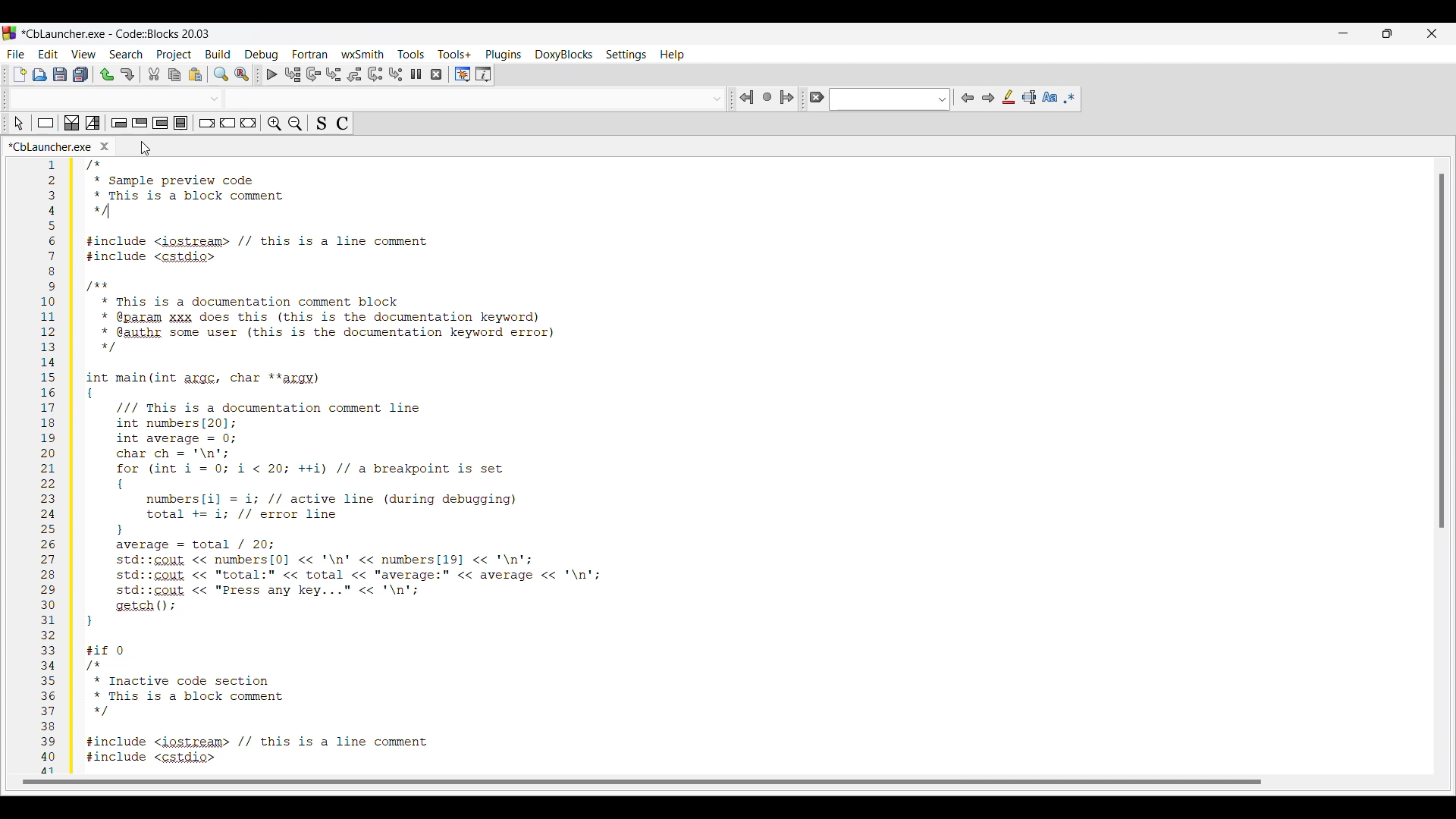 This screenshot has width=1456, height=819. What do you see at coordinates (463, 74) in the screenshot?
I see `Debugging windows ` at bounding box center [463, 74].